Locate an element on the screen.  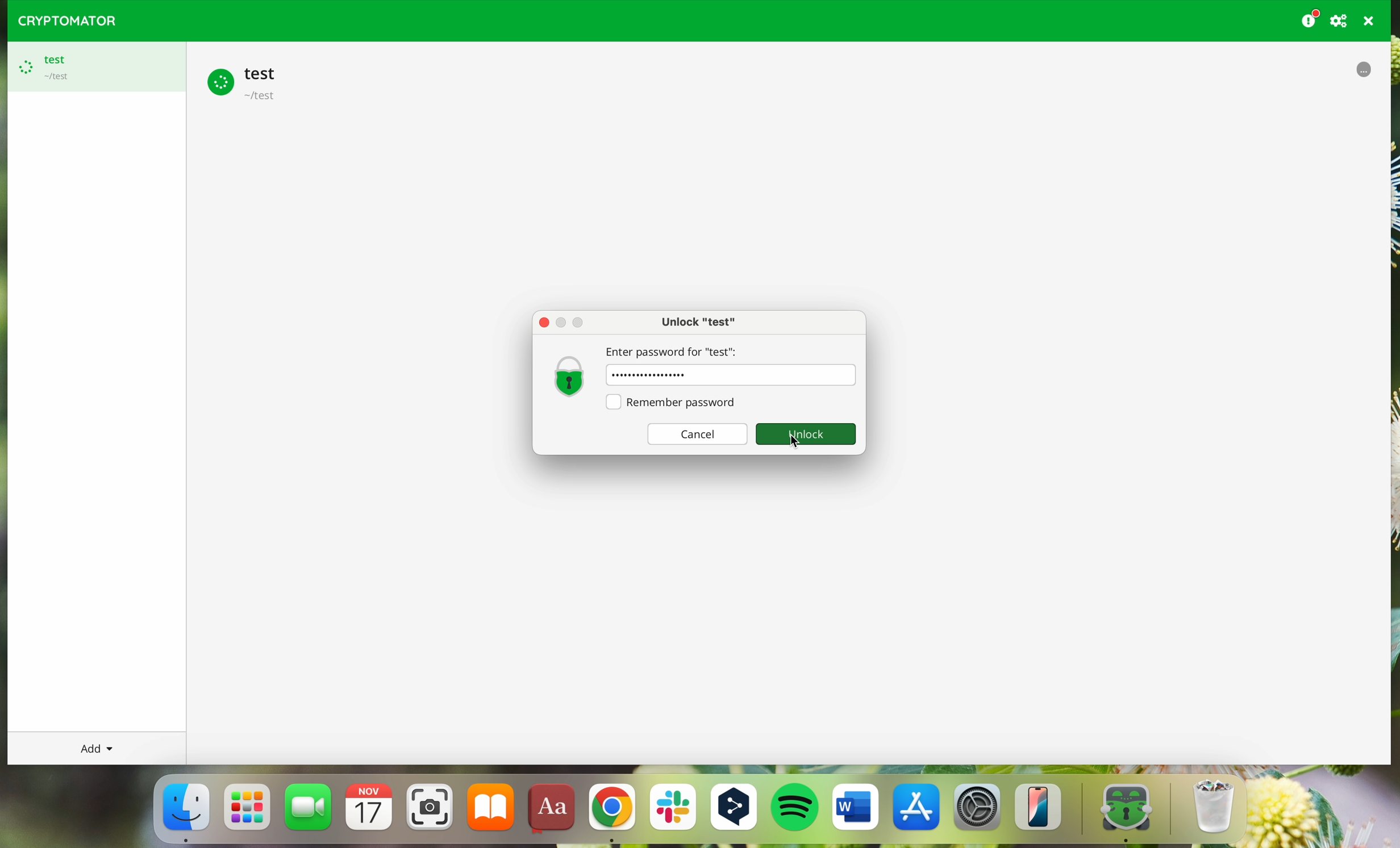
cursor is located at coordinates (778, 175).